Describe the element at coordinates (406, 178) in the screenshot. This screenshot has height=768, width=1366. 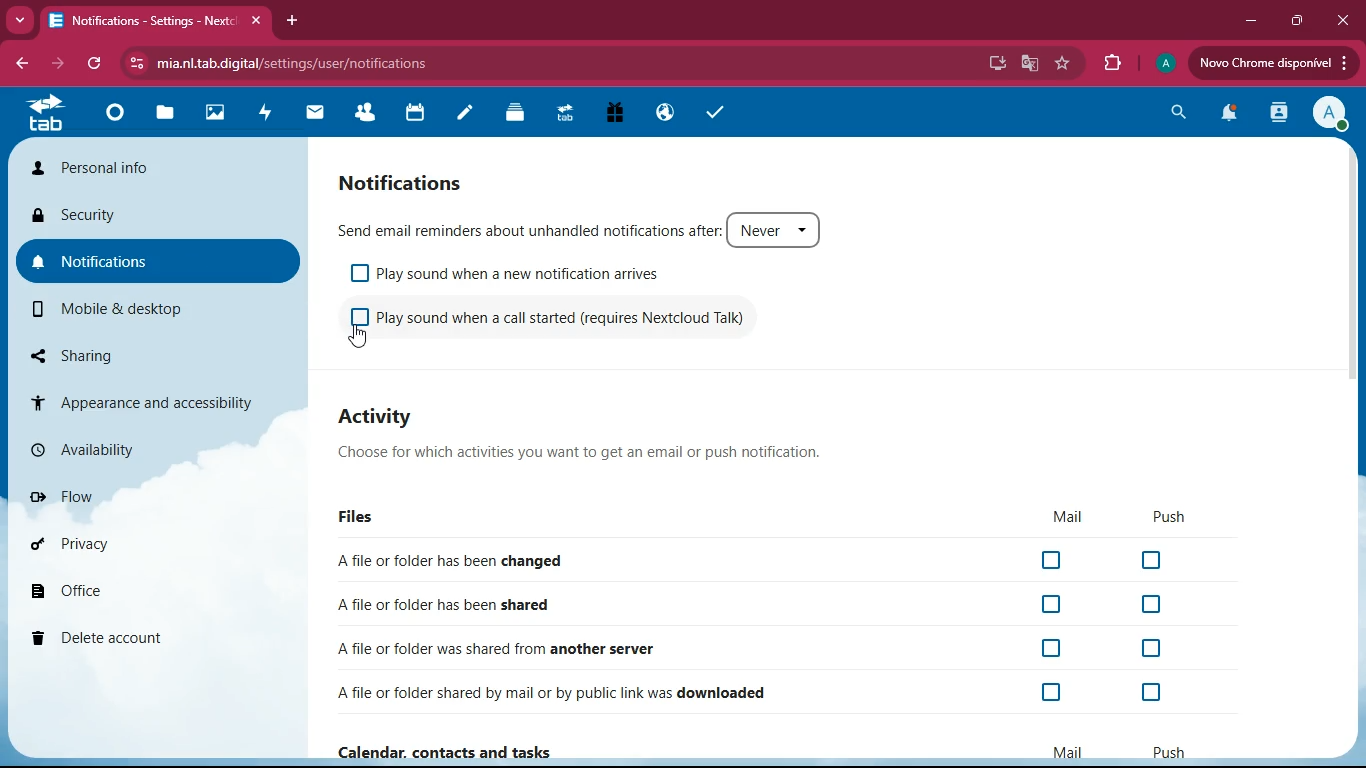
I see `notification` at that location.